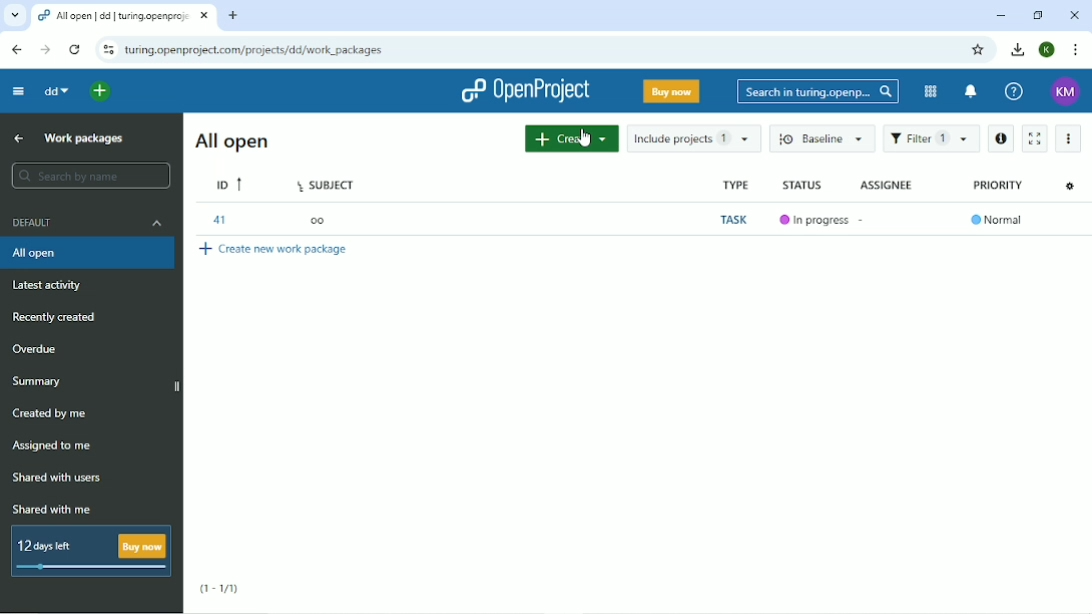  I want to click on Recently created, so click(56, 317).